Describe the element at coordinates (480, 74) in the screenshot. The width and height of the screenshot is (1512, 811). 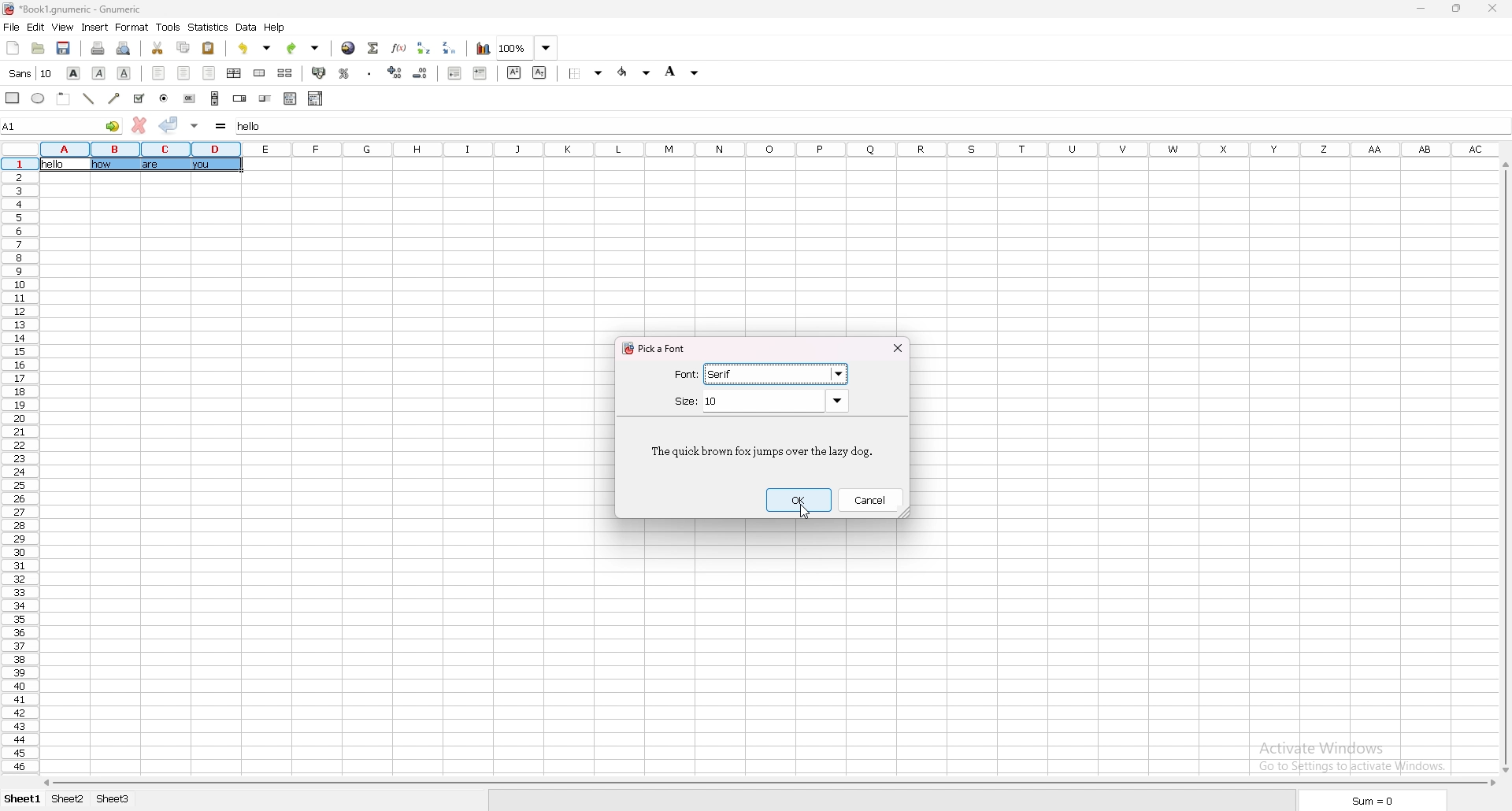
I see `increase indent` at that location.